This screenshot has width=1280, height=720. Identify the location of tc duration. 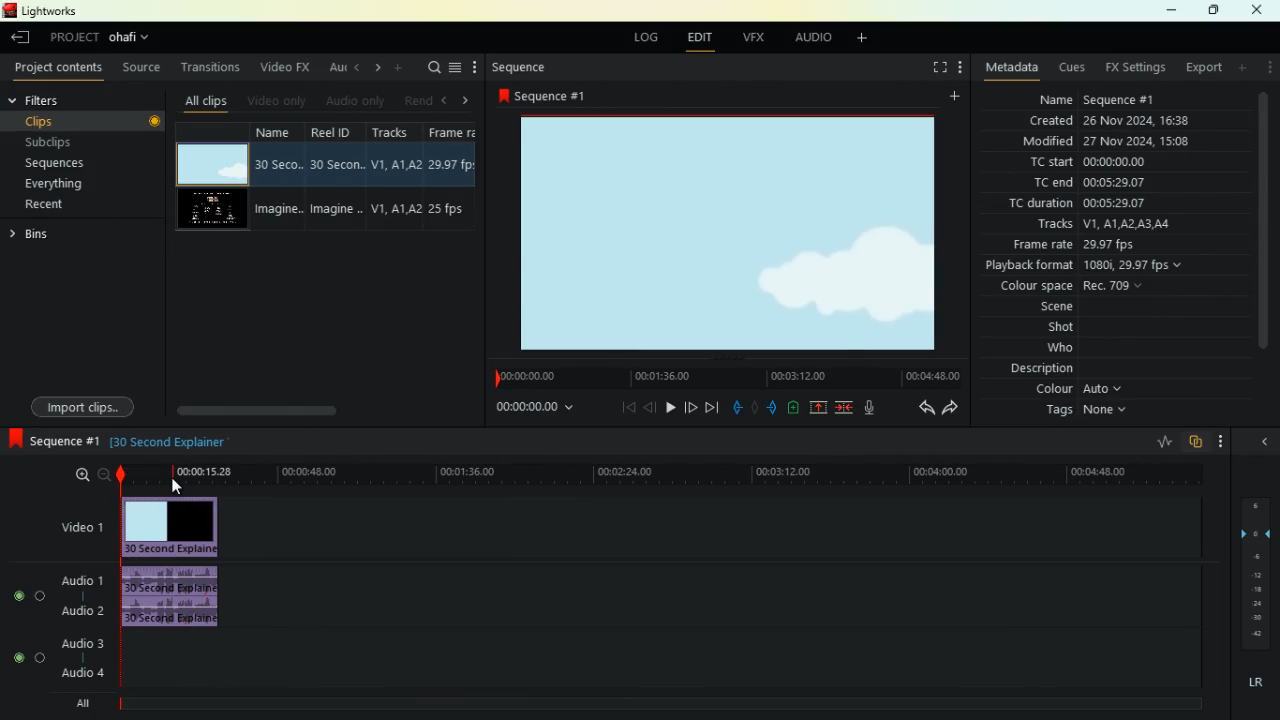
(1042, 202).